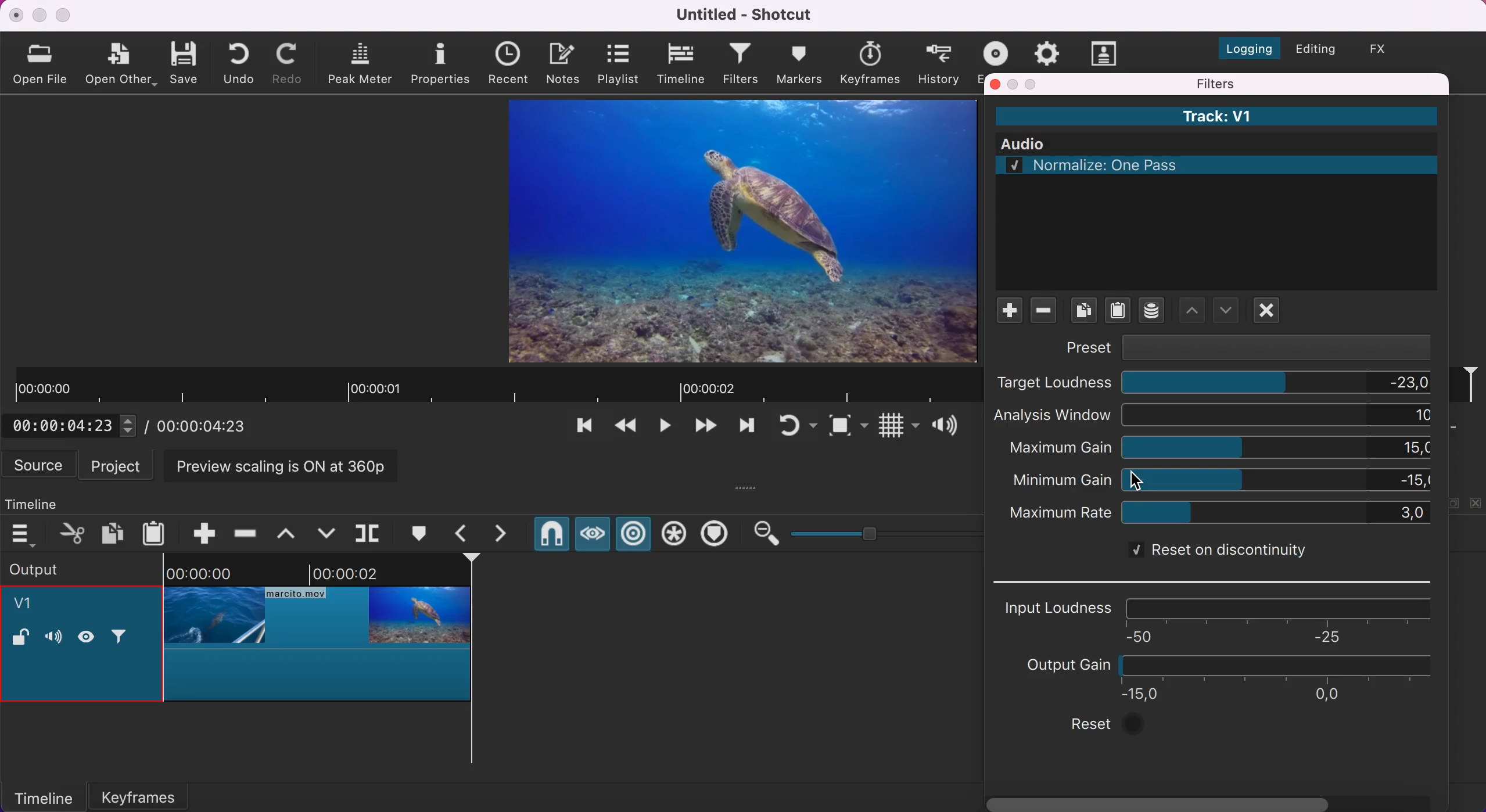 The width and height of the screenshot is (1486, 812). Describe the element at coordinates (799, 63) in the screenshot. I see `markers` at that location.